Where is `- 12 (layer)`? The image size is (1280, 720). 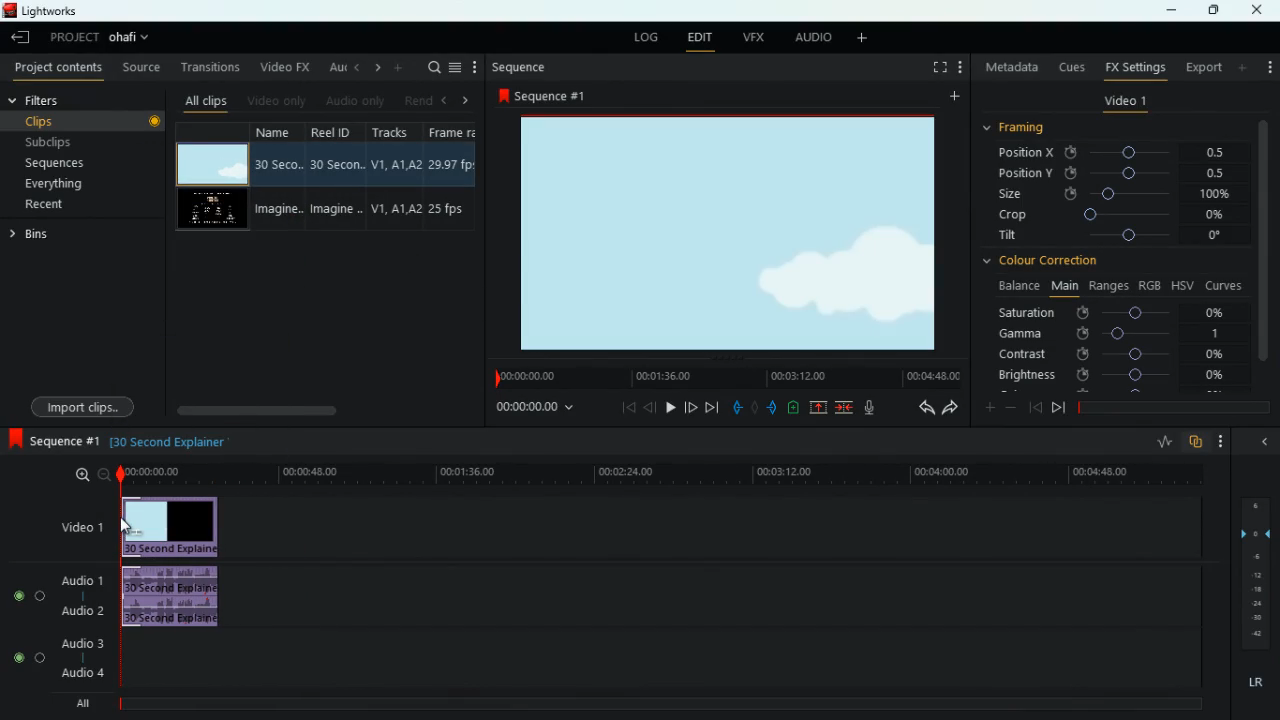 - 12 (layer) is located at coordinates (1258, 574).